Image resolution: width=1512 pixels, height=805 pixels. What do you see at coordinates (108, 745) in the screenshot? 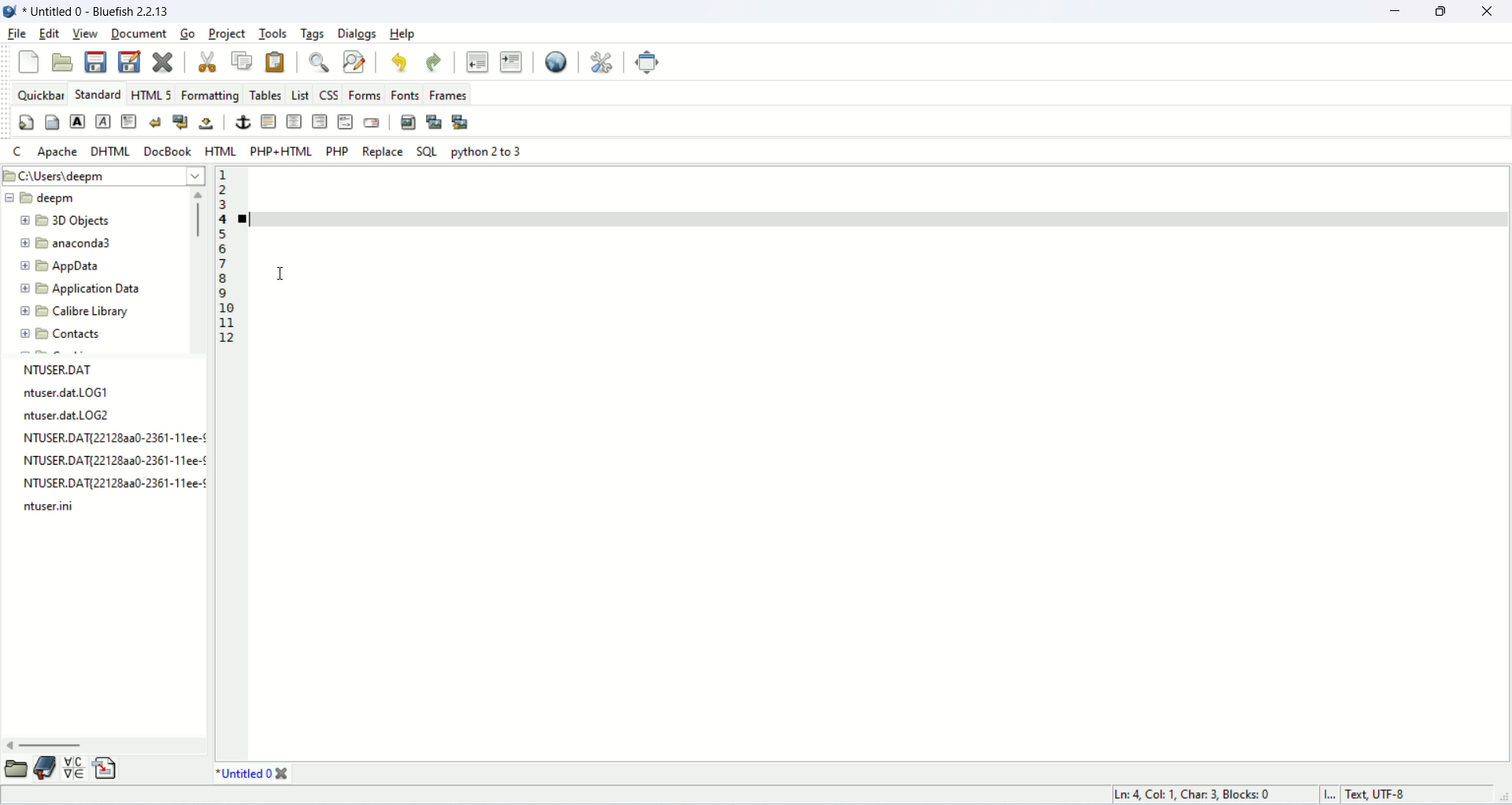
I see `scroll bar` at bounding box center [108, 745].